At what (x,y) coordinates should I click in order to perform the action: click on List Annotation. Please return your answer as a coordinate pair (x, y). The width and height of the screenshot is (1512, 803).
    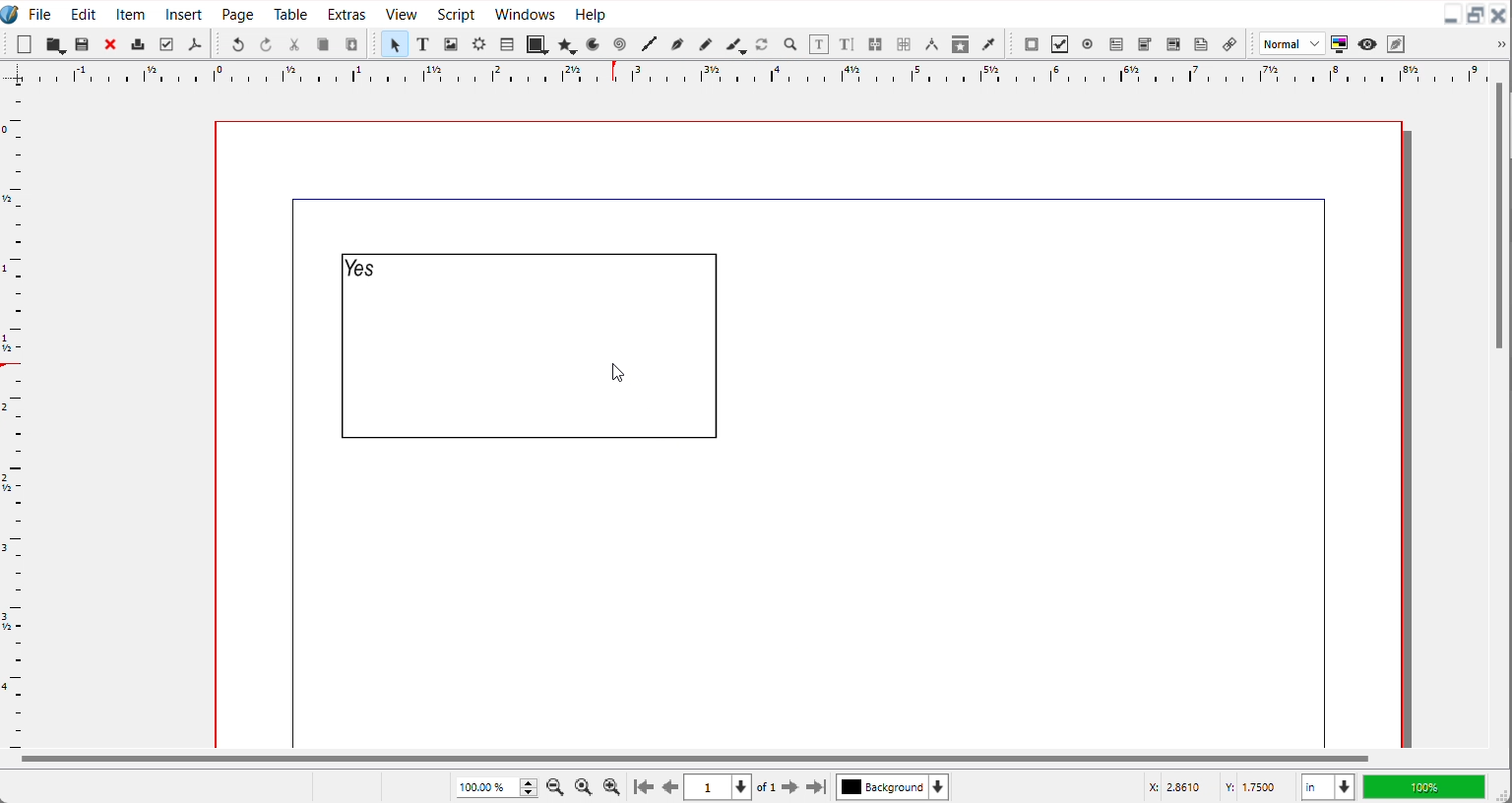
    Looking at the image, I should click on (1228, 43).